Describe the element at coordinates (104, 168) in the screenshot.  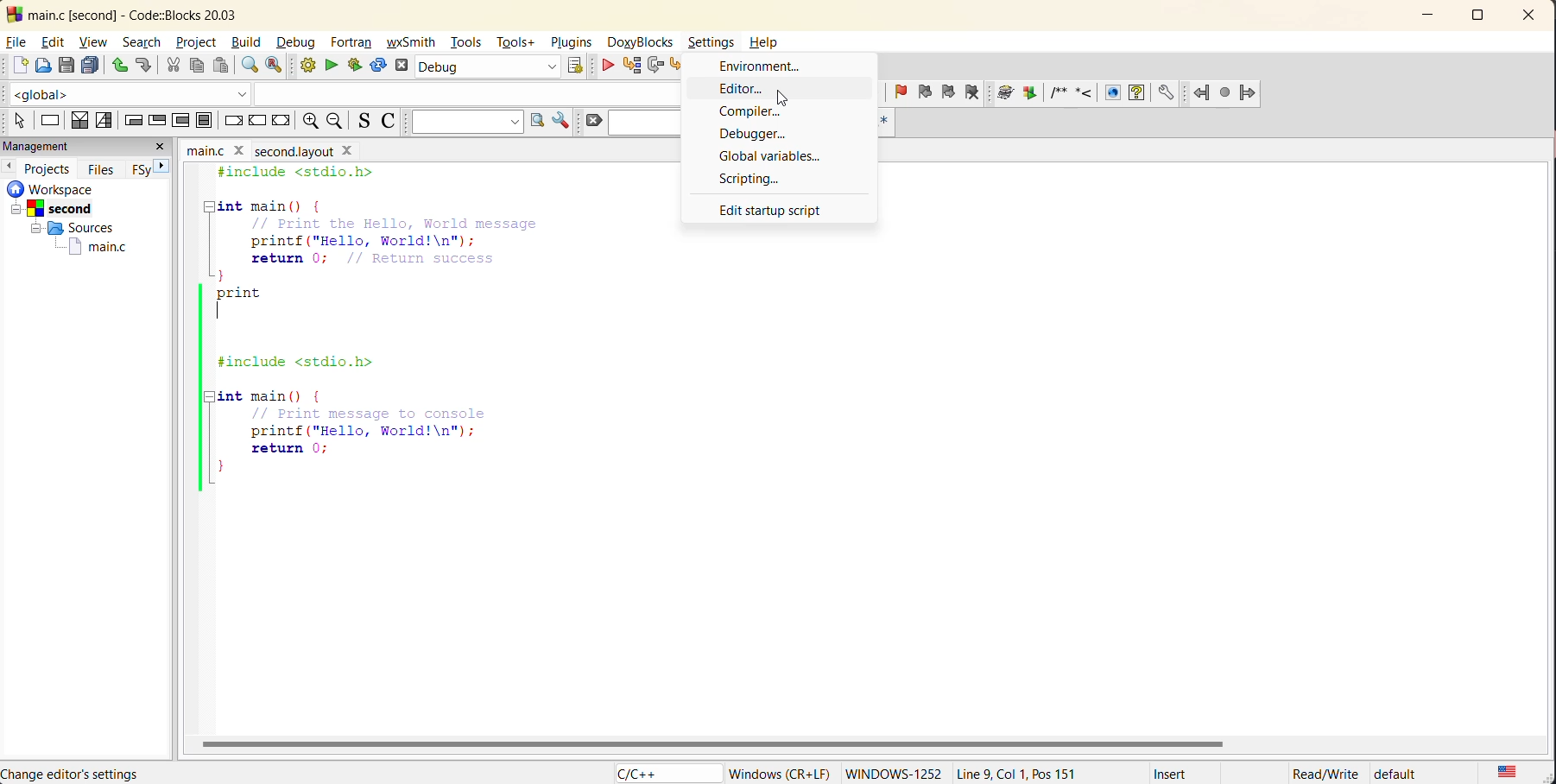
I see `files` at that location.